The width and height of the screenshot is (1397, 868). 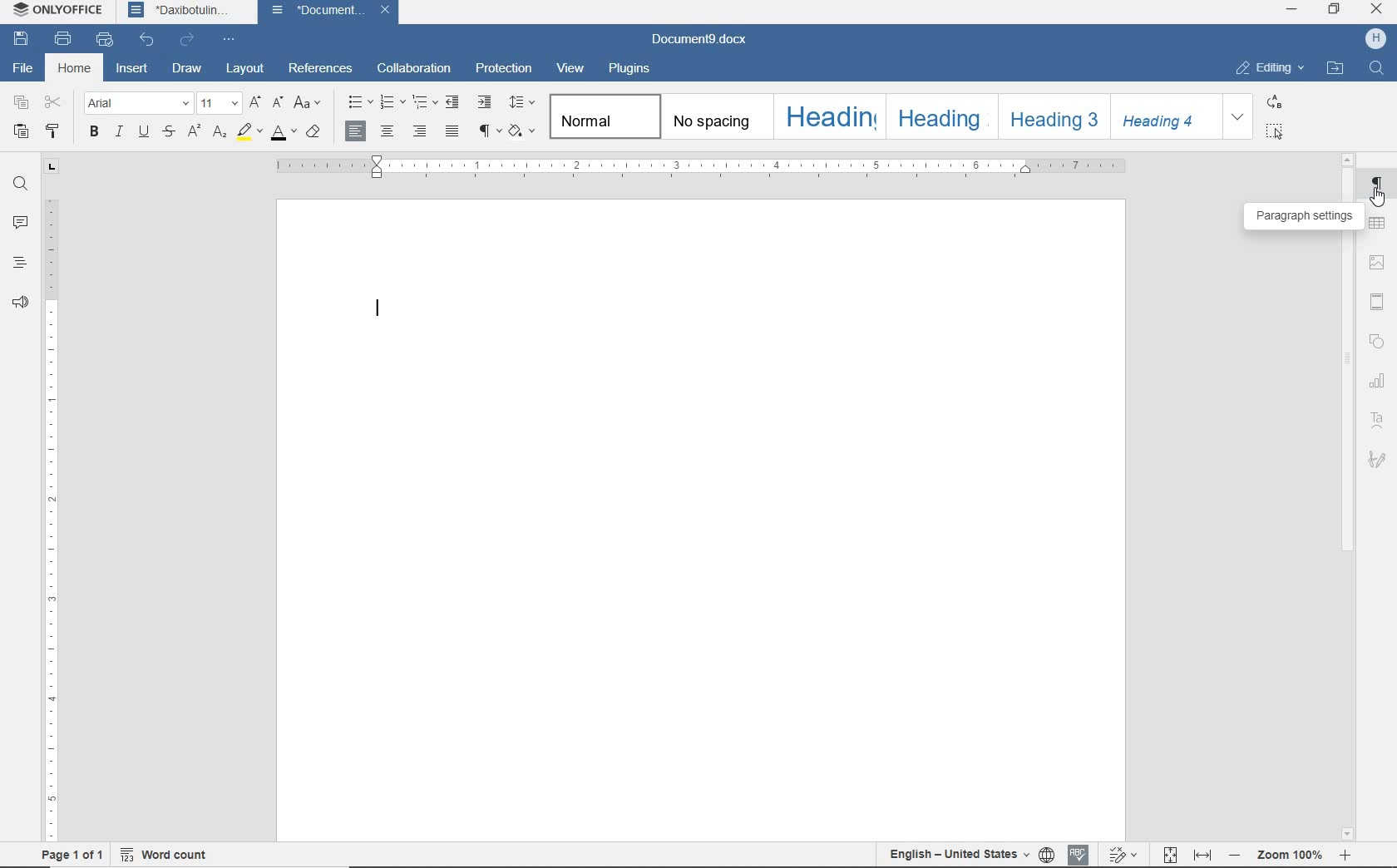 What do you see at coordinates (1378, 72) in the screenshot?
I see `FIND` at bounding box center [1378, 72].